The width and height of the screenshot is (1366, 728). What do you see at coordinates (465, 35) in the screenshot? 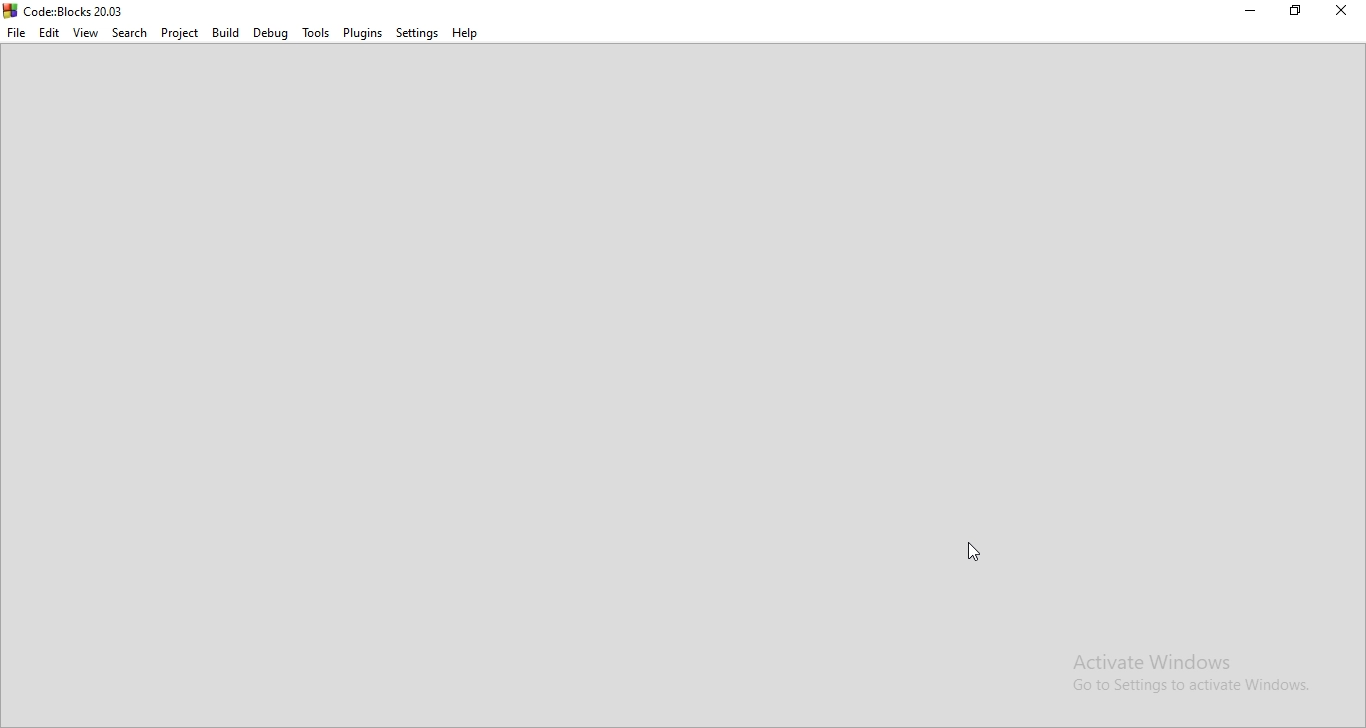
I see `Help` at bounding box center [465, 35].